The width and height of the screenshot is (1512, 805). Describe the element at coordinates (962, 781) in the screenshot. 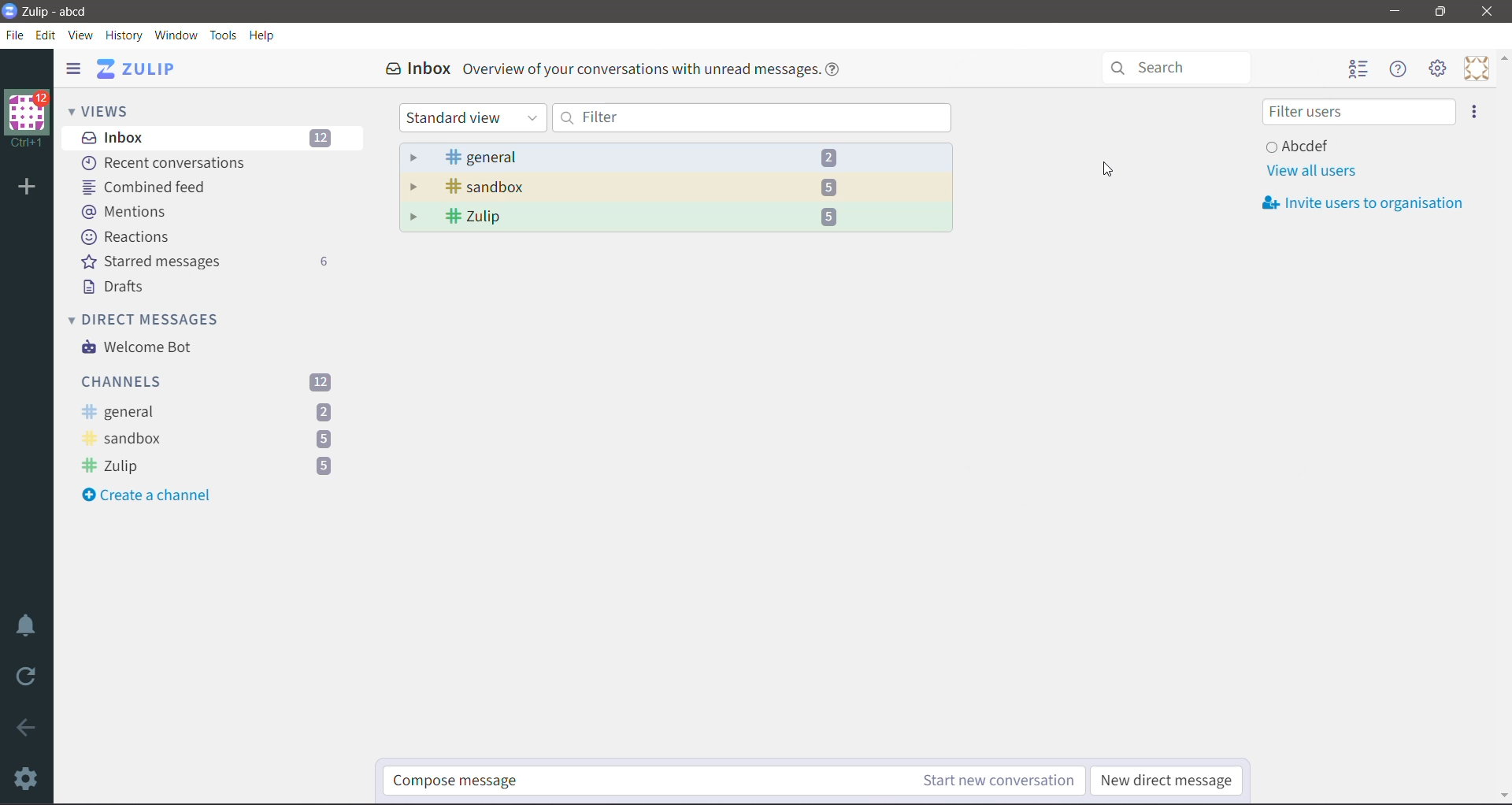

I see `Start new conversation` at that location.